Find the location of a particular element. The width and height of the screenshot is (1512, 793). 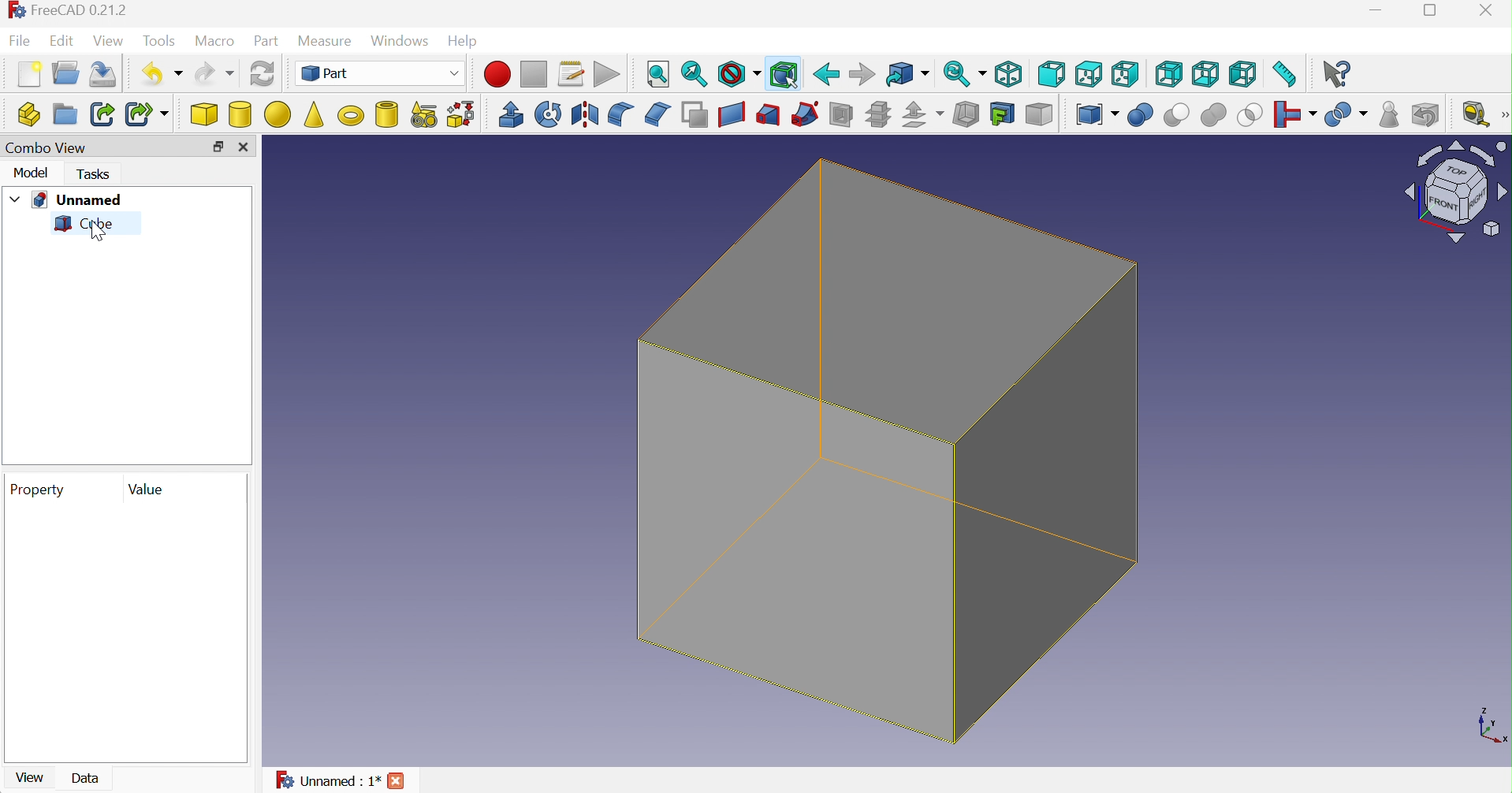

Cylinder is located at coordinates (240, 115).